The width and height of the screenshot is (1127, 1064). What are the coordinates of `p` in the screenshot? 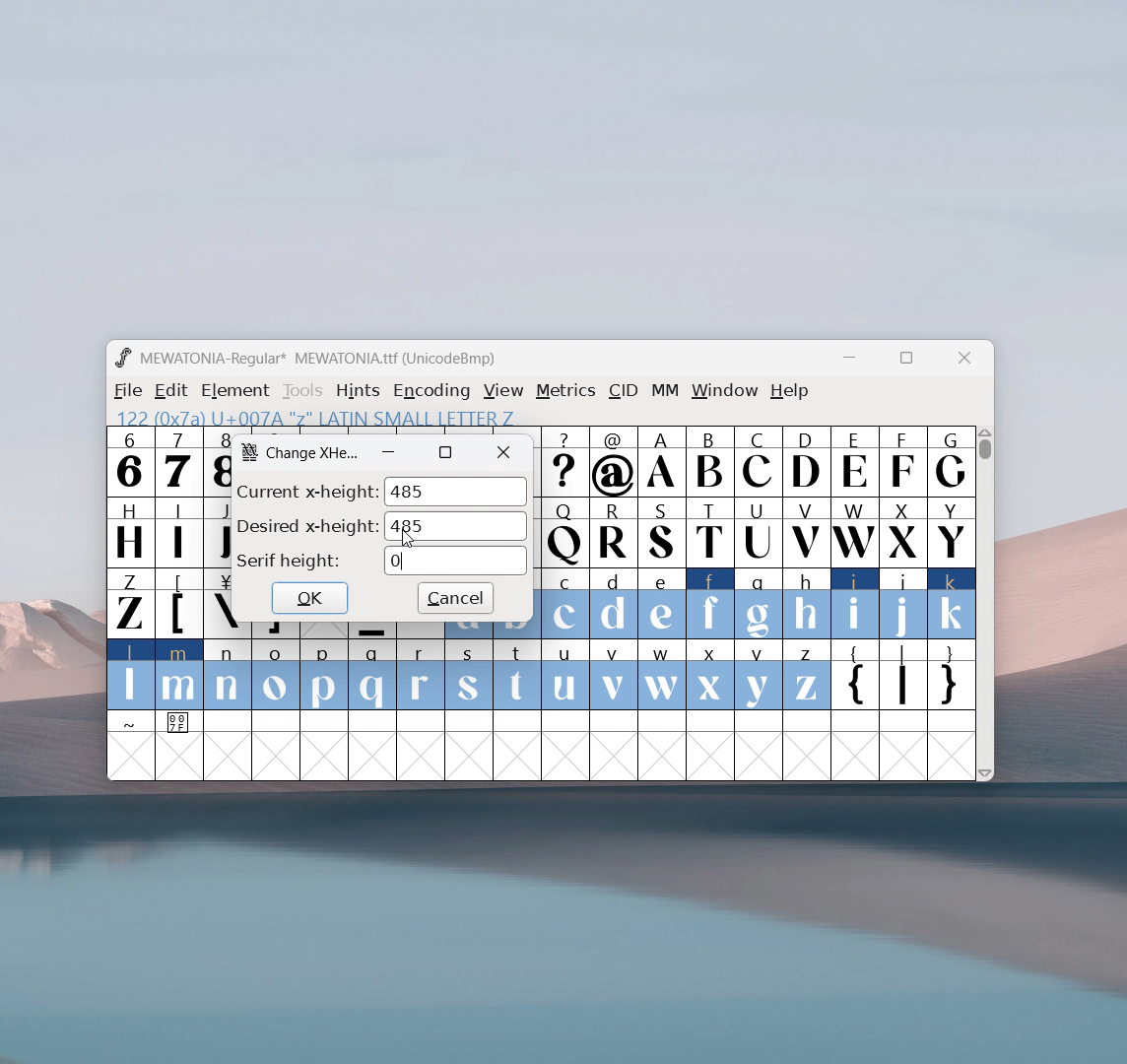 It's located at (326, 676).